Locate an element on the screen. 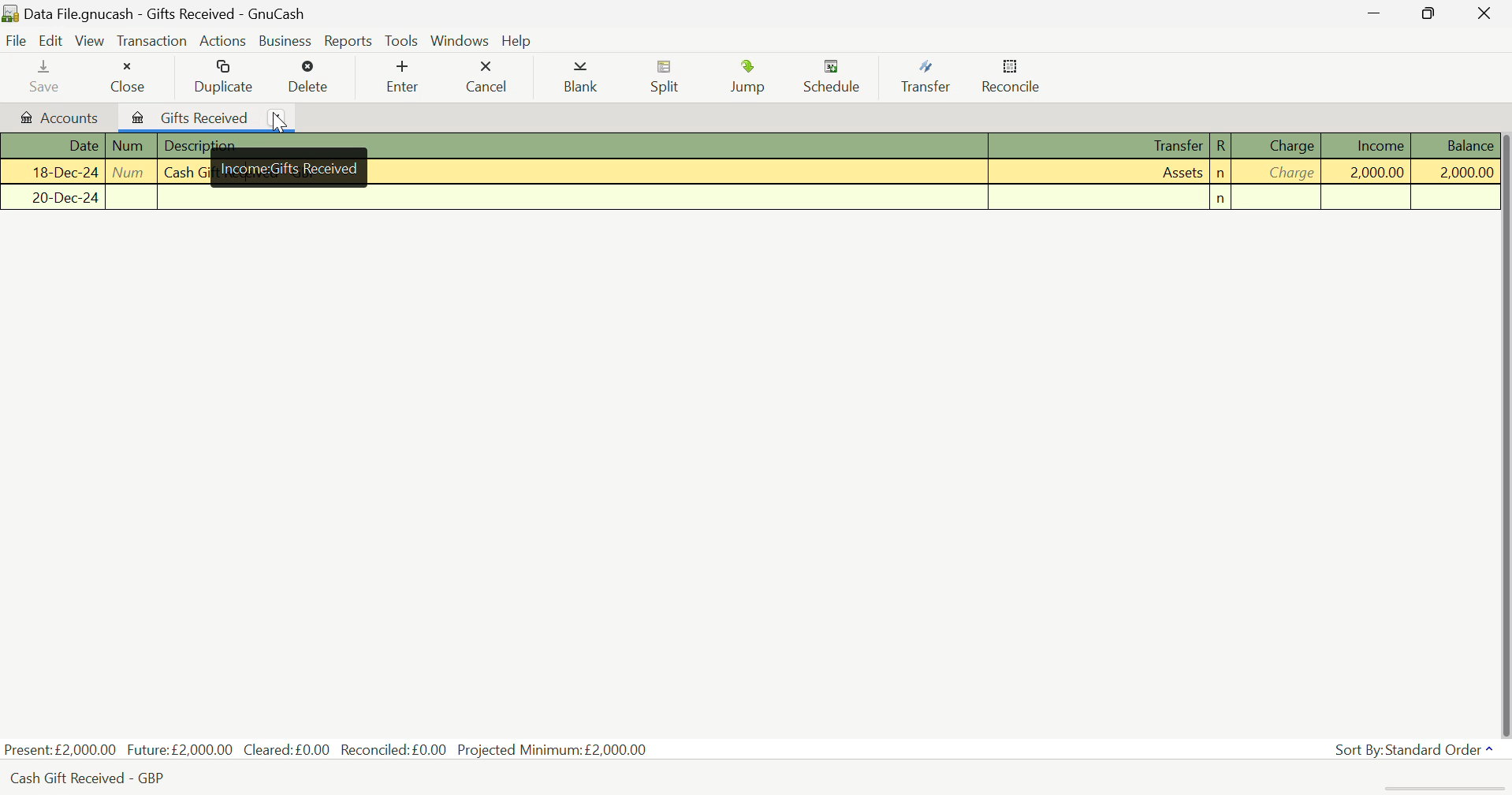 This screenshot has width=1512, height=795. Help is located at coordinates (516, 39).